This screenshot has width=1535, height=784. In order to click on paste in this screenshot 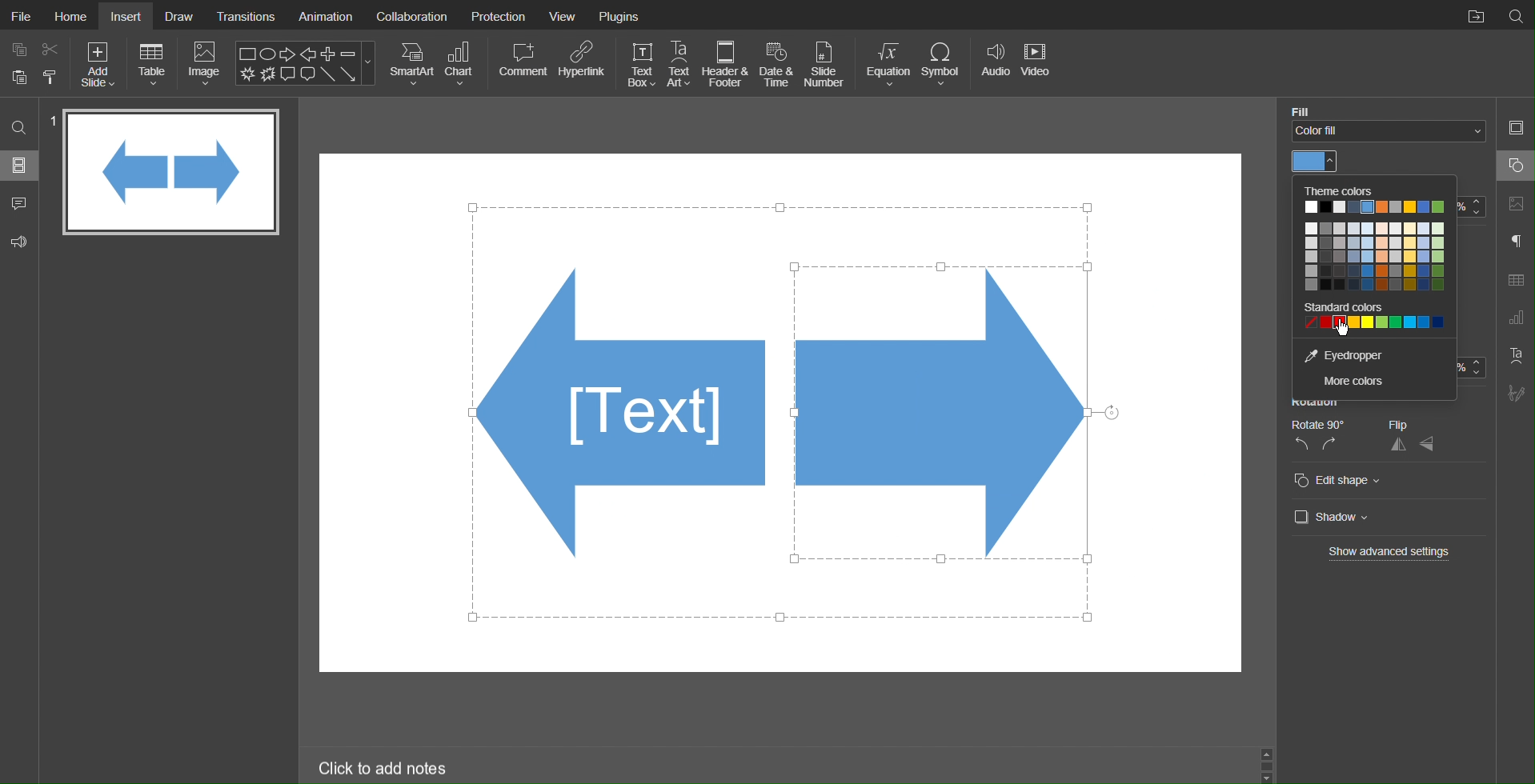, I will do `click(18, 78)`.